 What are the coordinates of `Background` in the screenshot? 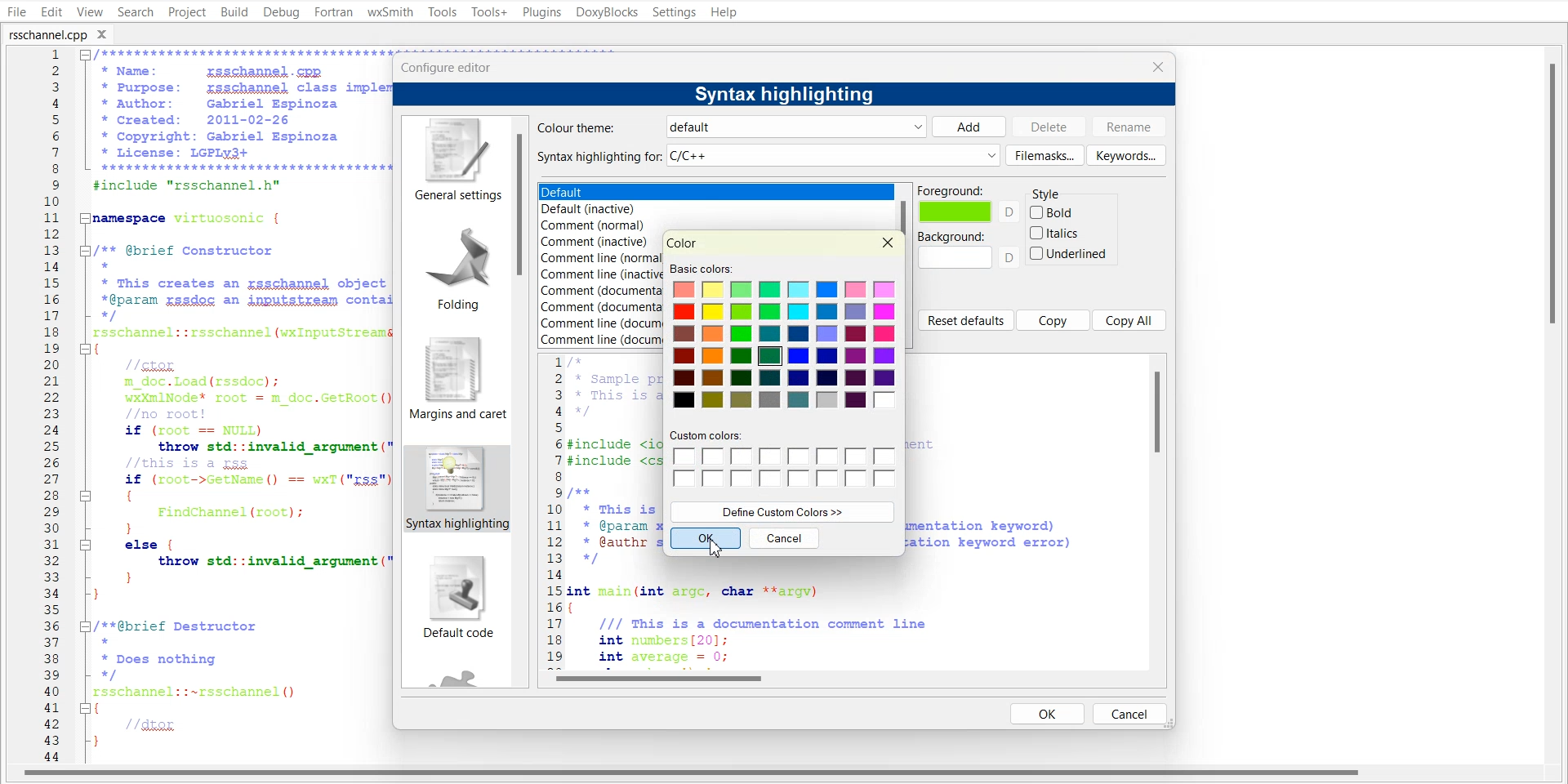 It's located at (969, 250).